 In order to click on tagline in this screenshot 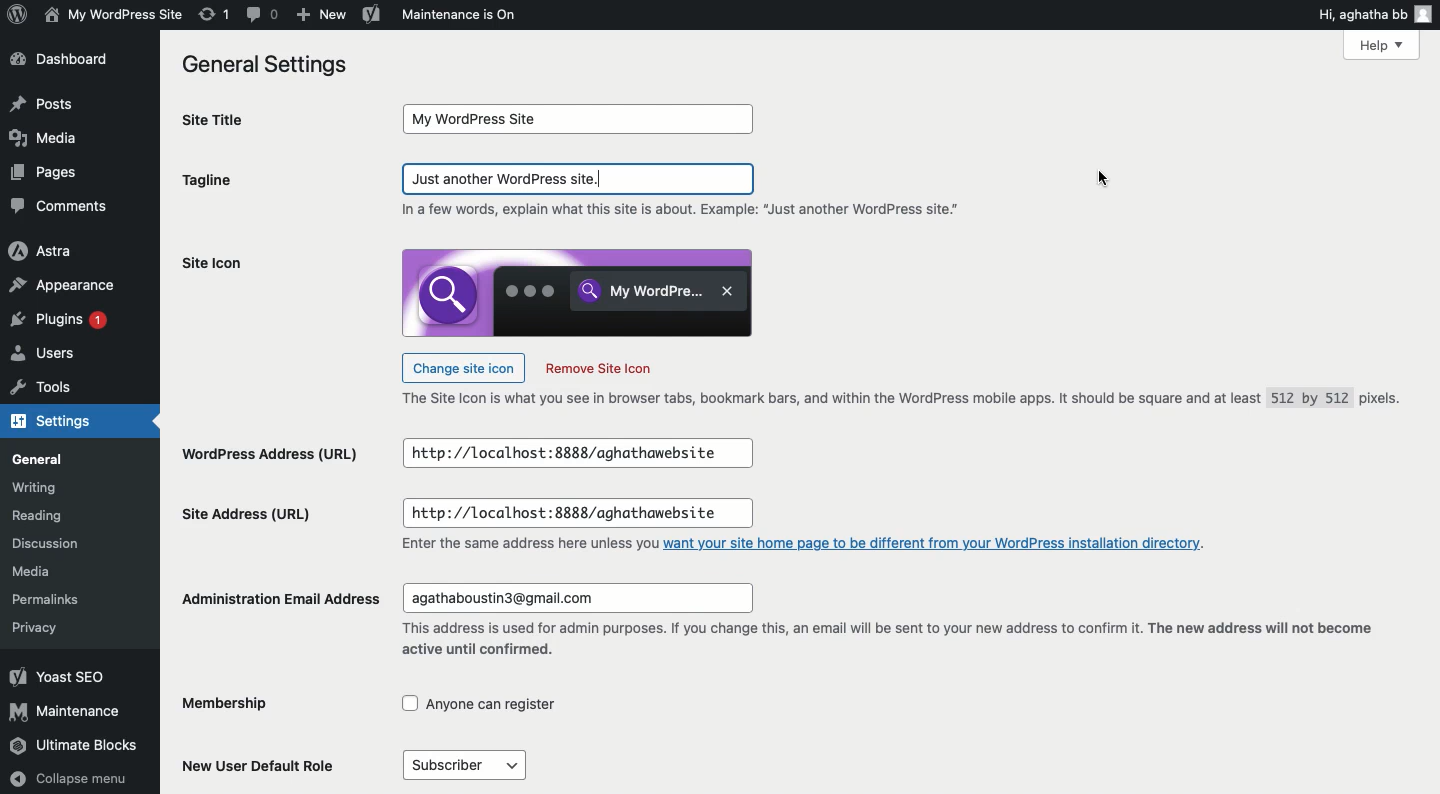, I will do `click(207, 183)`.